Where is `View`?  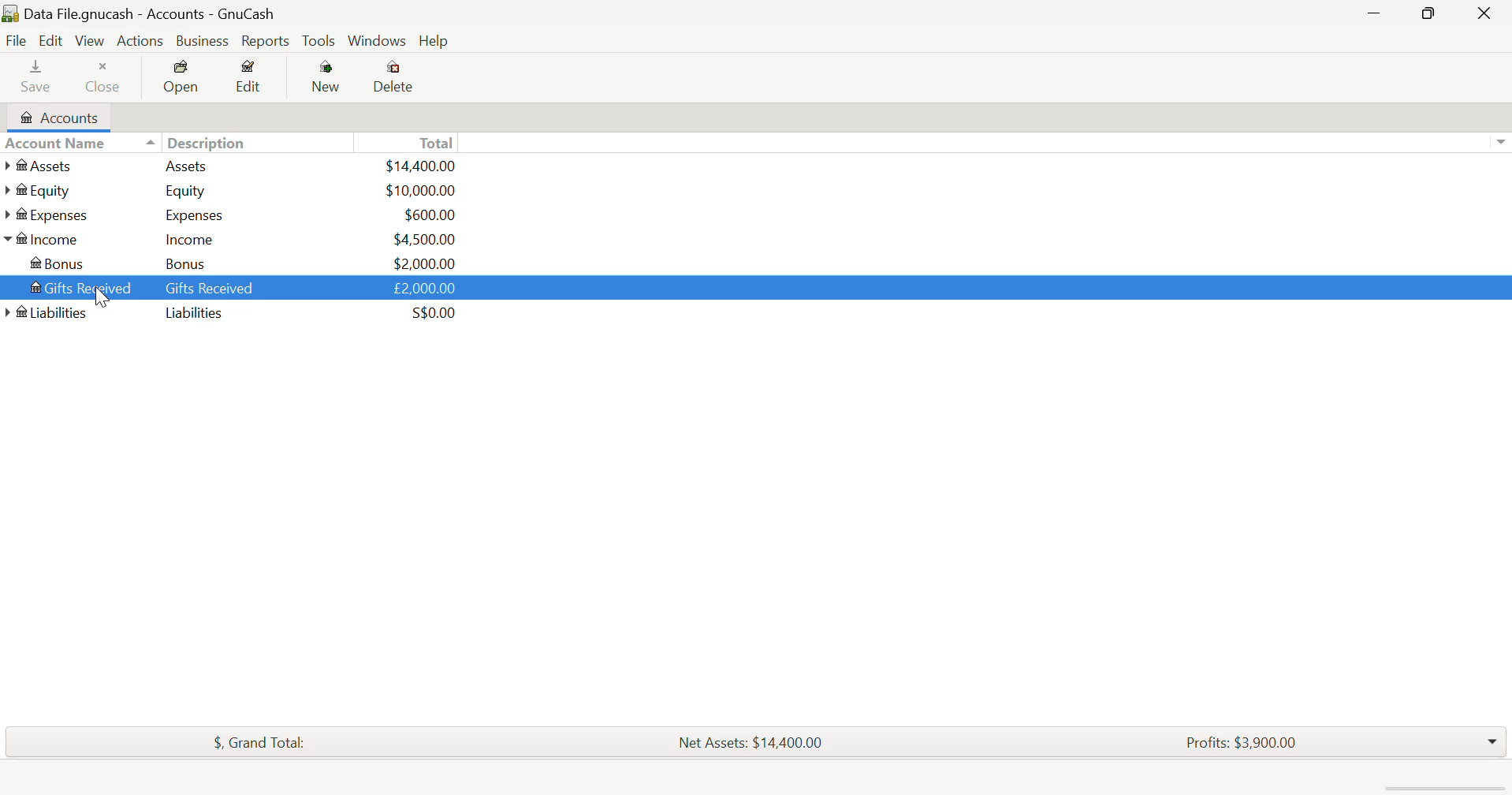
View is located at coordinates (91, 39).